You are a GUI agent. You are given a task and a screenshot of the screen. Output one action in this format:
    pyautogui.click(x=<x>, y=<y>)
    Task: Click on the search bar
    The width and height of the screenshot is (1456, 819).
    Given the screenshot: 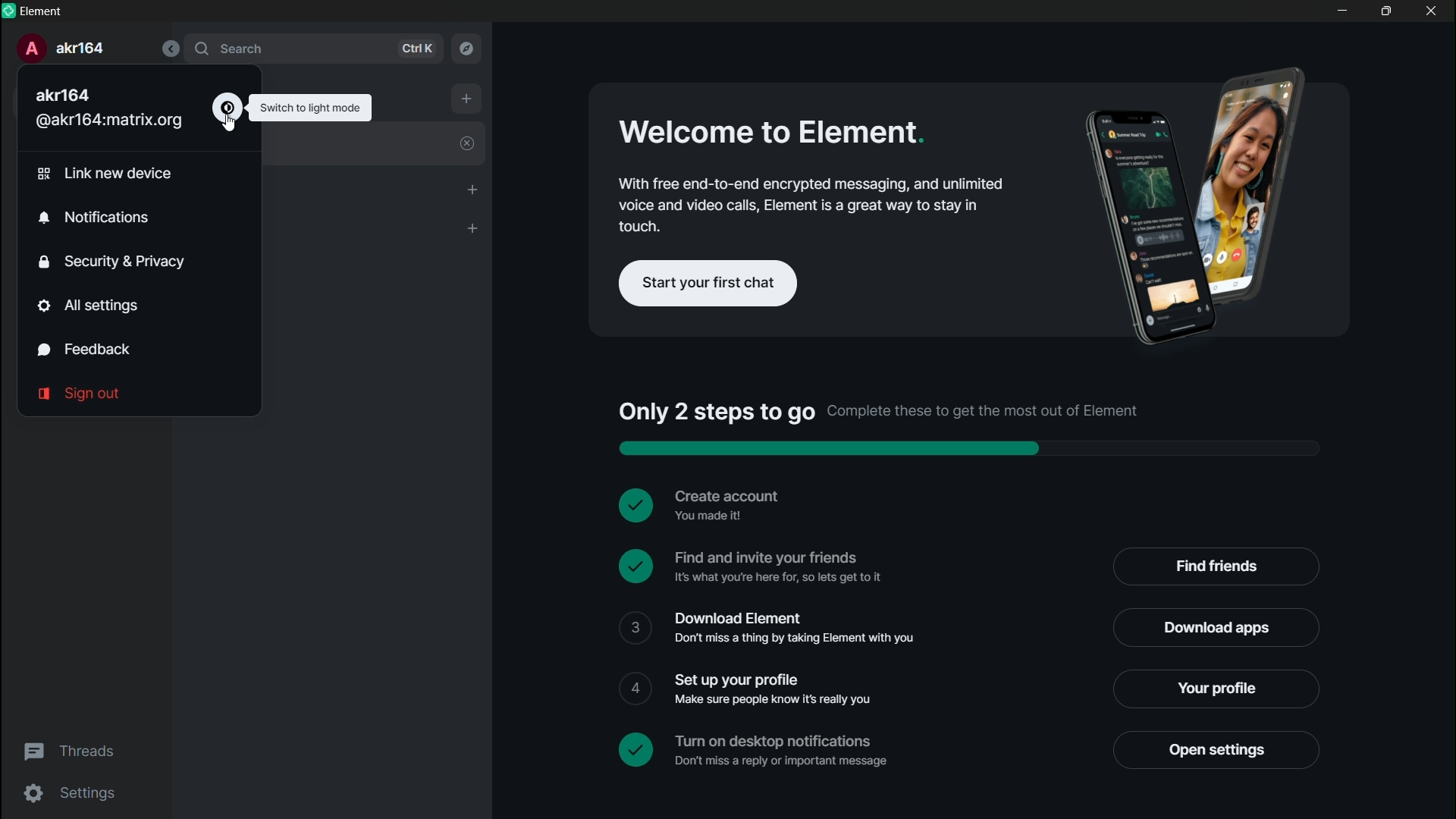 What is the action you would take?
    pyautogui.click(x=291, y=49)
    